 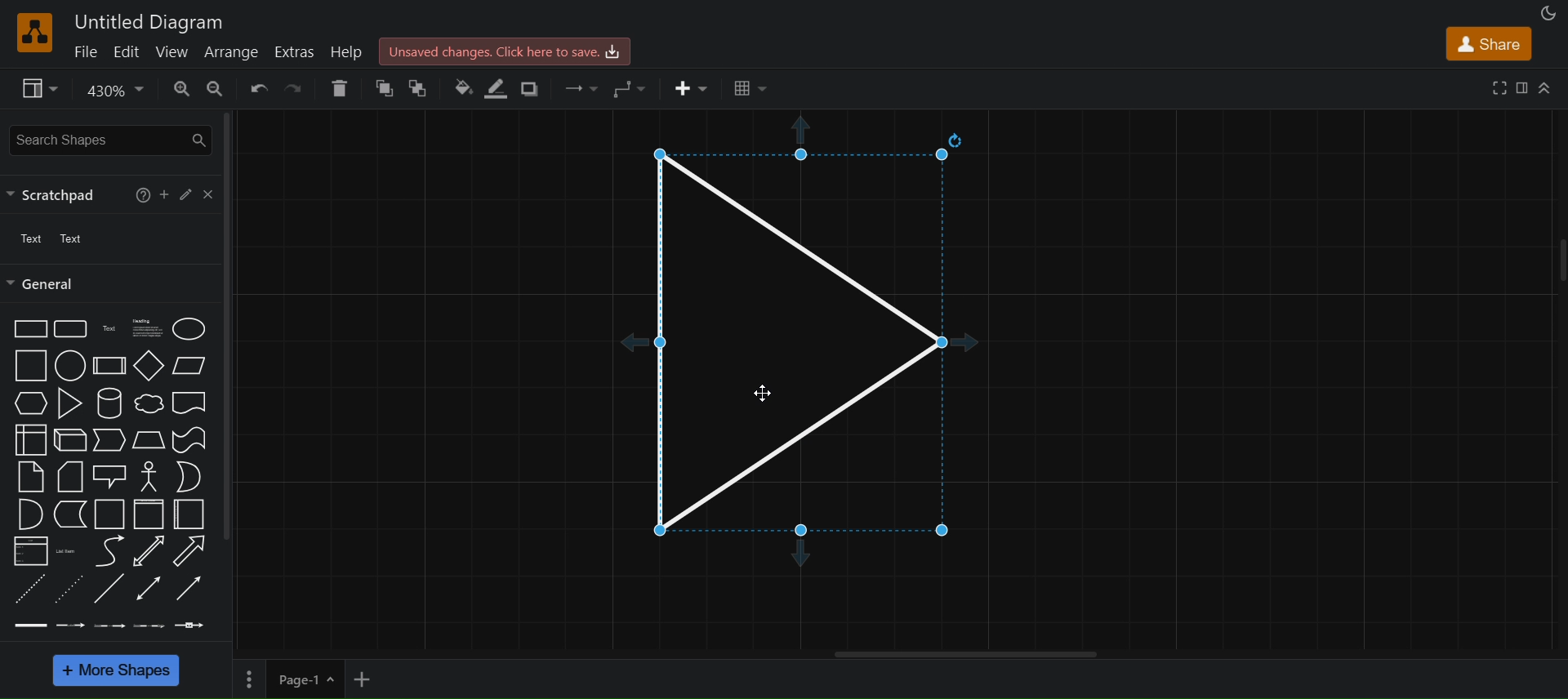 I want to click on hotizontal scroll bar, so click(x=964, y=653).